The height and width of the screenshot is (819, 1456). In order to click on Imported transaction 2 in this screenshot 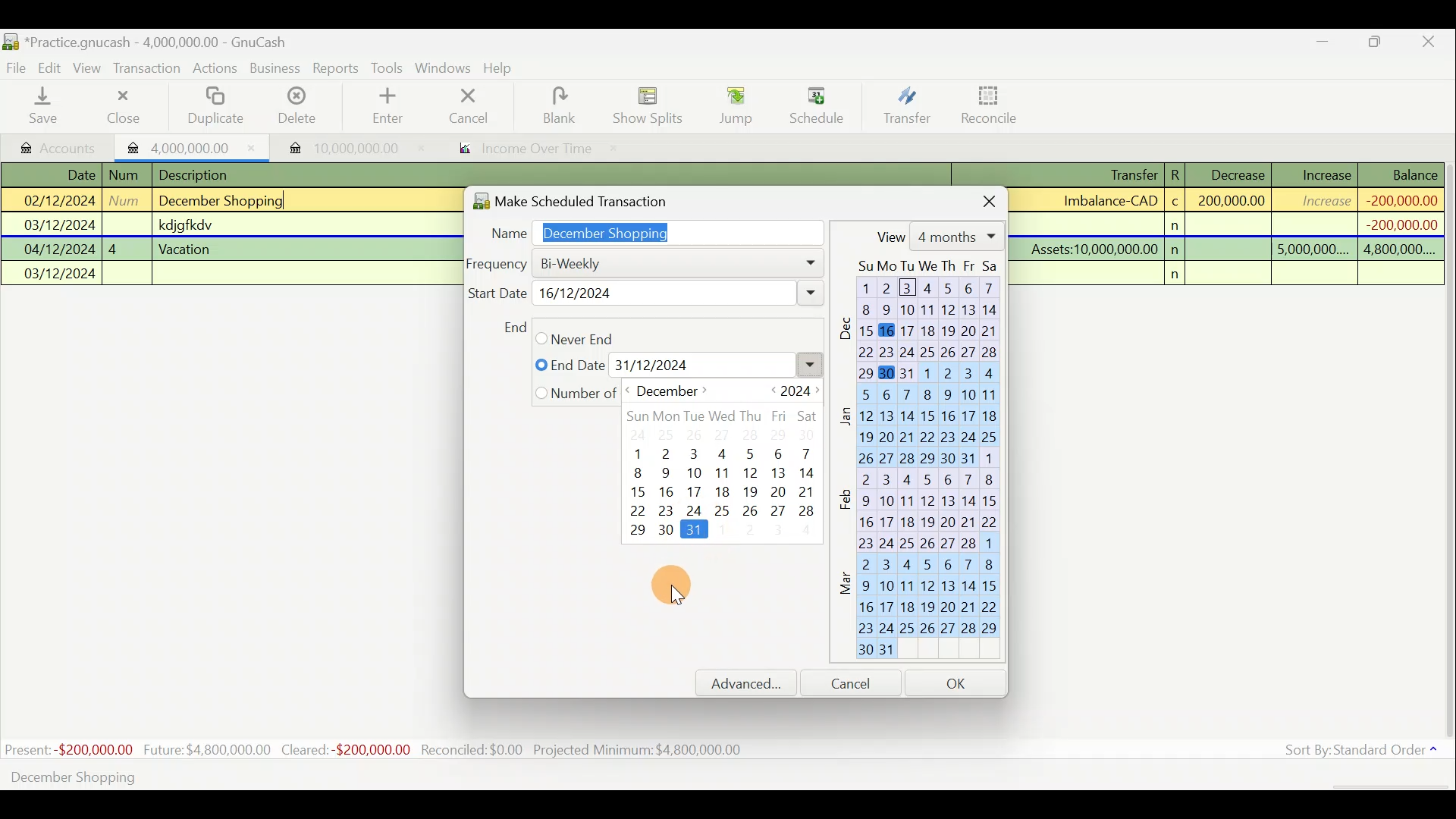, I will do `click(339, 148)`.